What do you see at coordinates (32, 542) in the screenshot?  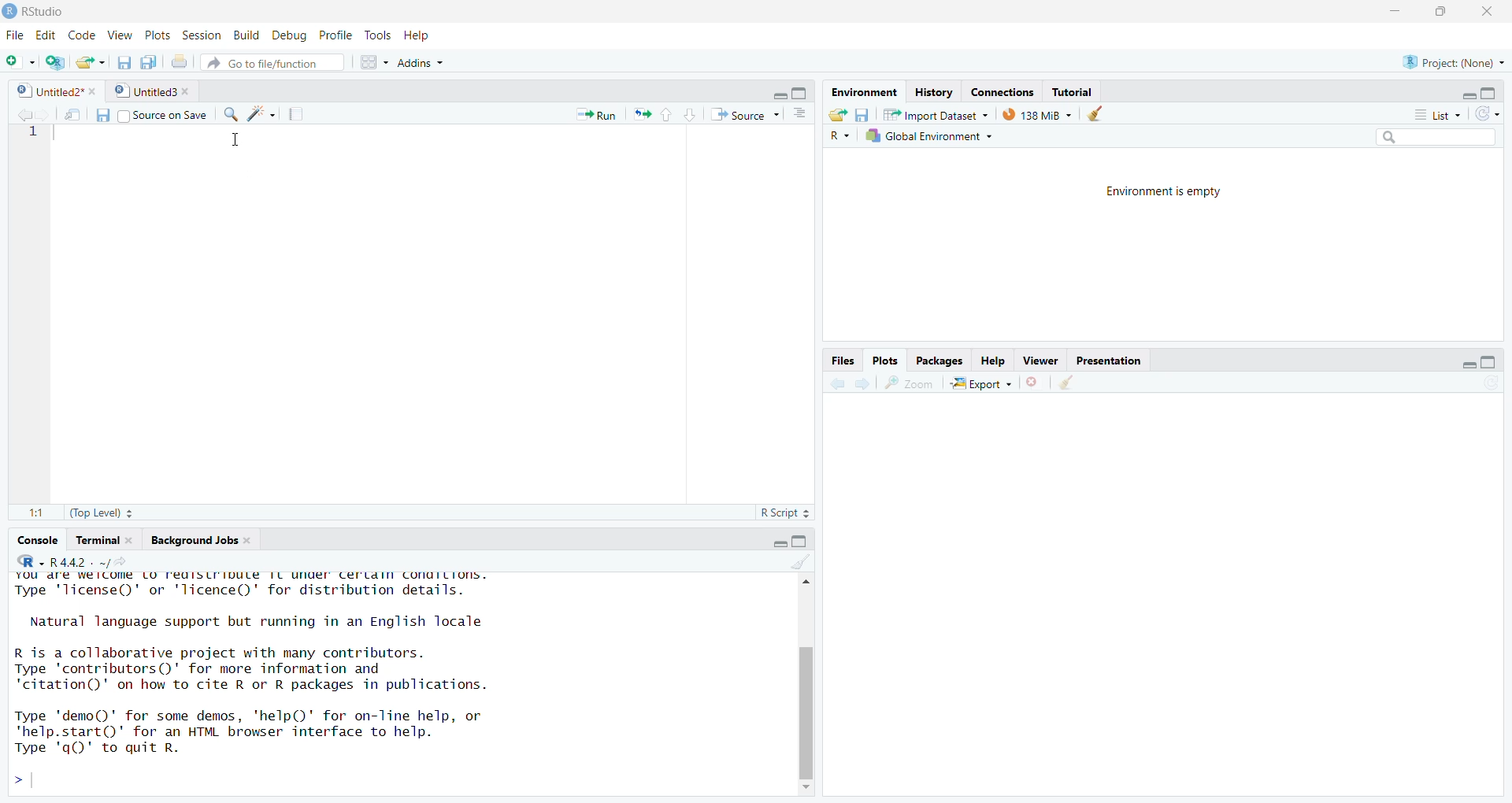 I see `‘Console` at bounding box center [32, 542].